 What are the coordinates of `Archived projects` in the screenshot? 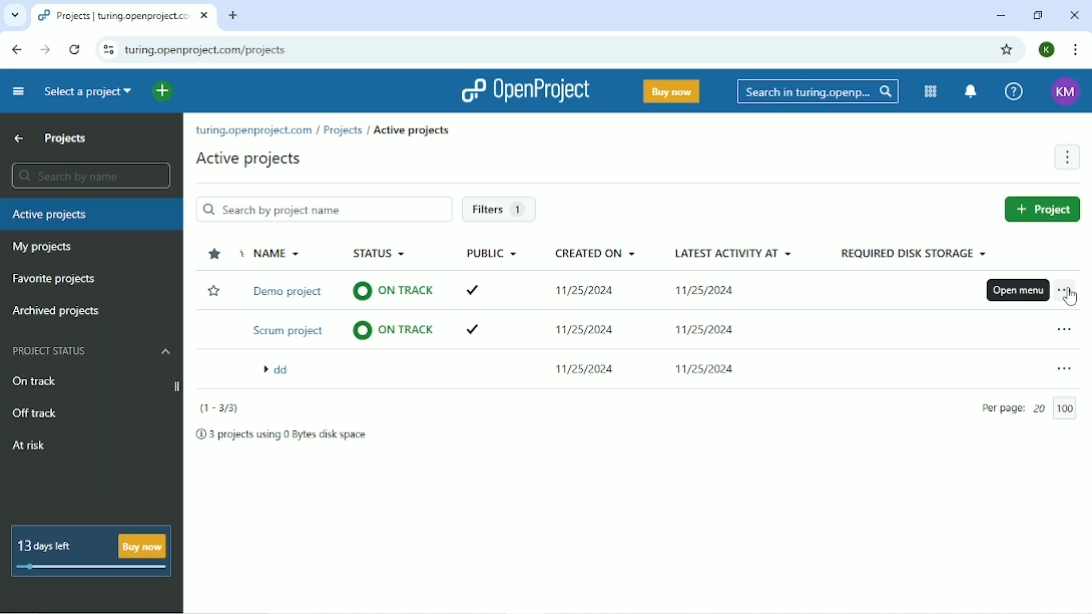 It's located at (57, 311).